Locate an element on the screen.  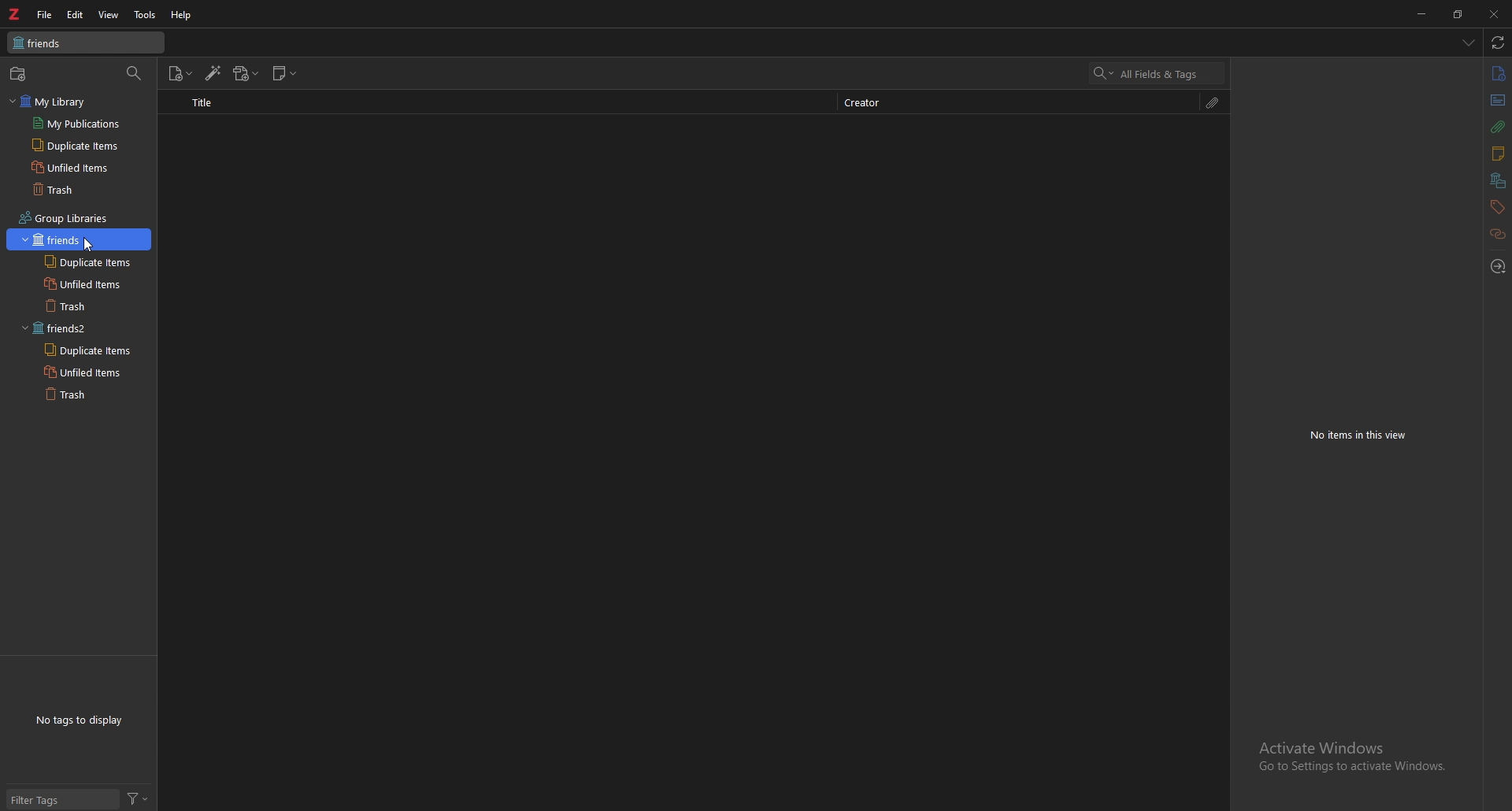
new note is located at coordinates (287, 72).